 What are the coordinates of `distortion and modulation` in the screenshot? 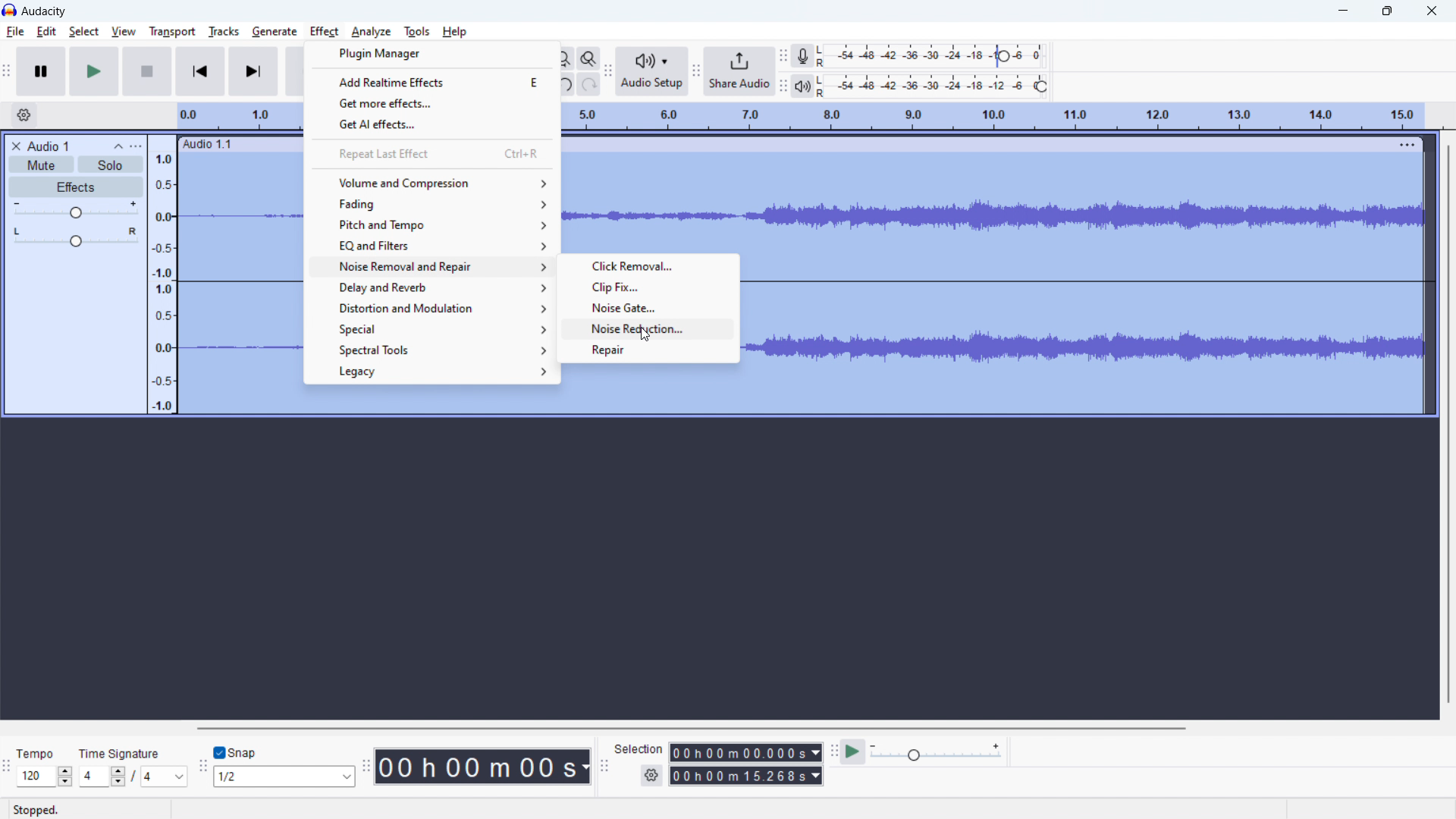 It's located at (428, 307).